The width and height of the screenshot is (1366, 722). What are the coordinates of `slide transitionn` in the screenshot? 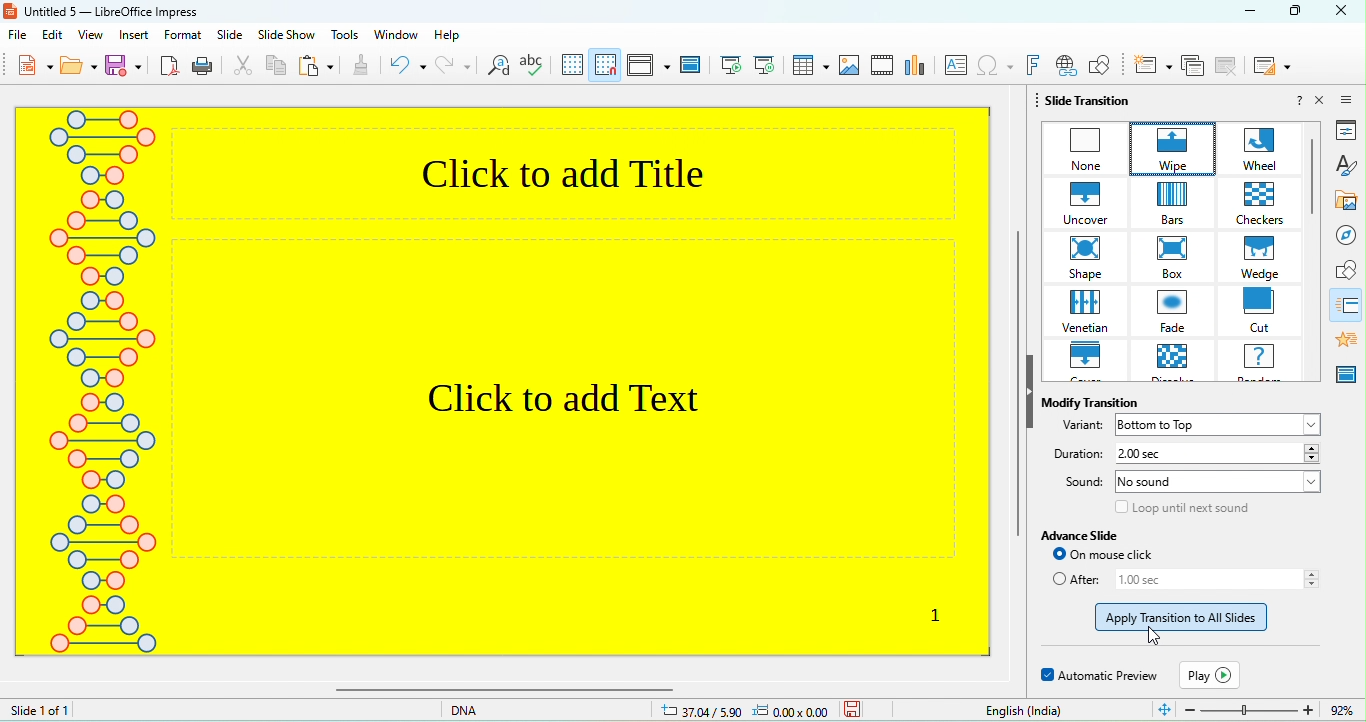 It's located at (1346, 301).